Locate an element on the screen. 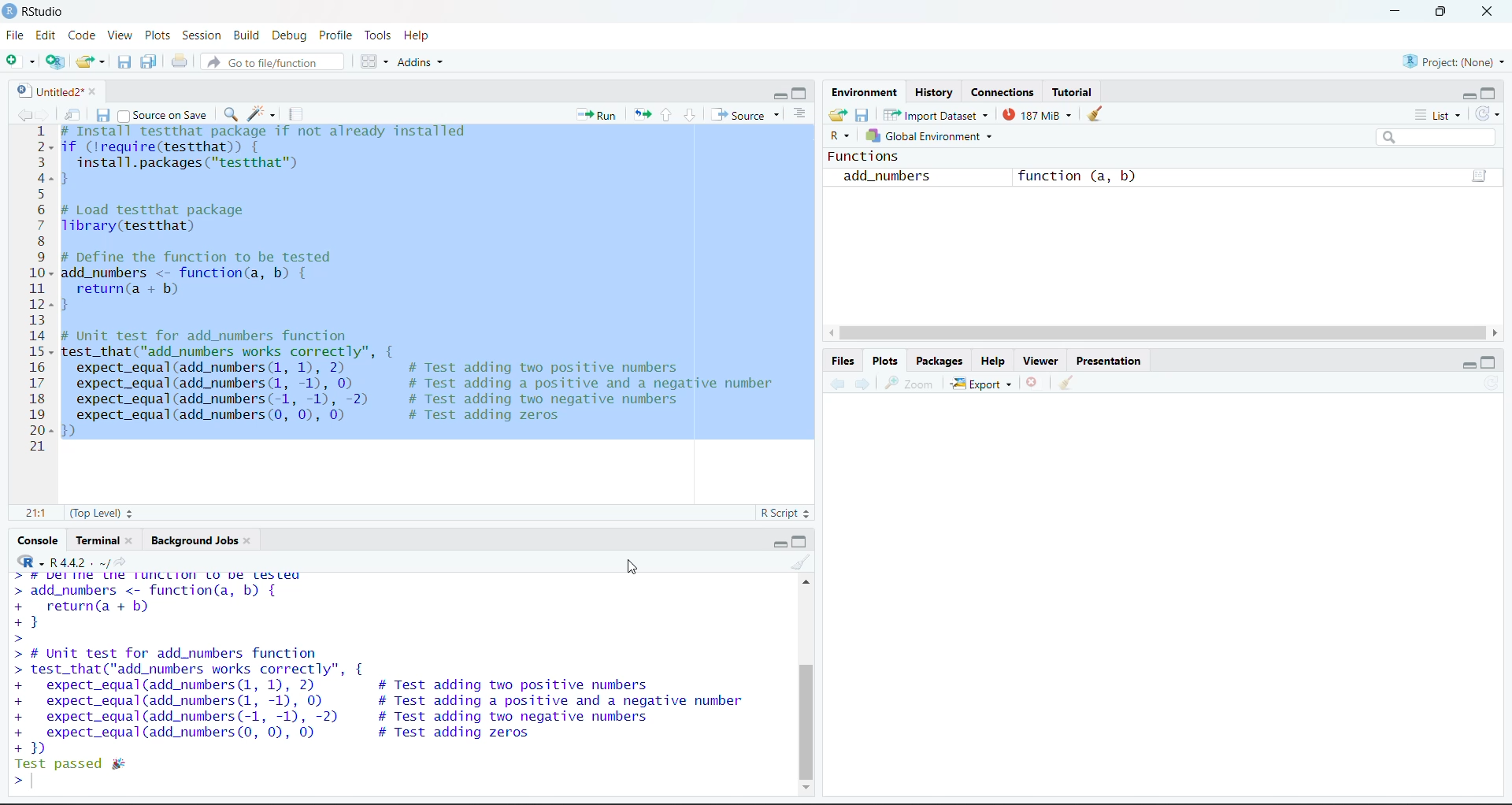 Image resolution: width=1512 pixels, height=805 pixels. cursor is located at coordinates (632, 565).